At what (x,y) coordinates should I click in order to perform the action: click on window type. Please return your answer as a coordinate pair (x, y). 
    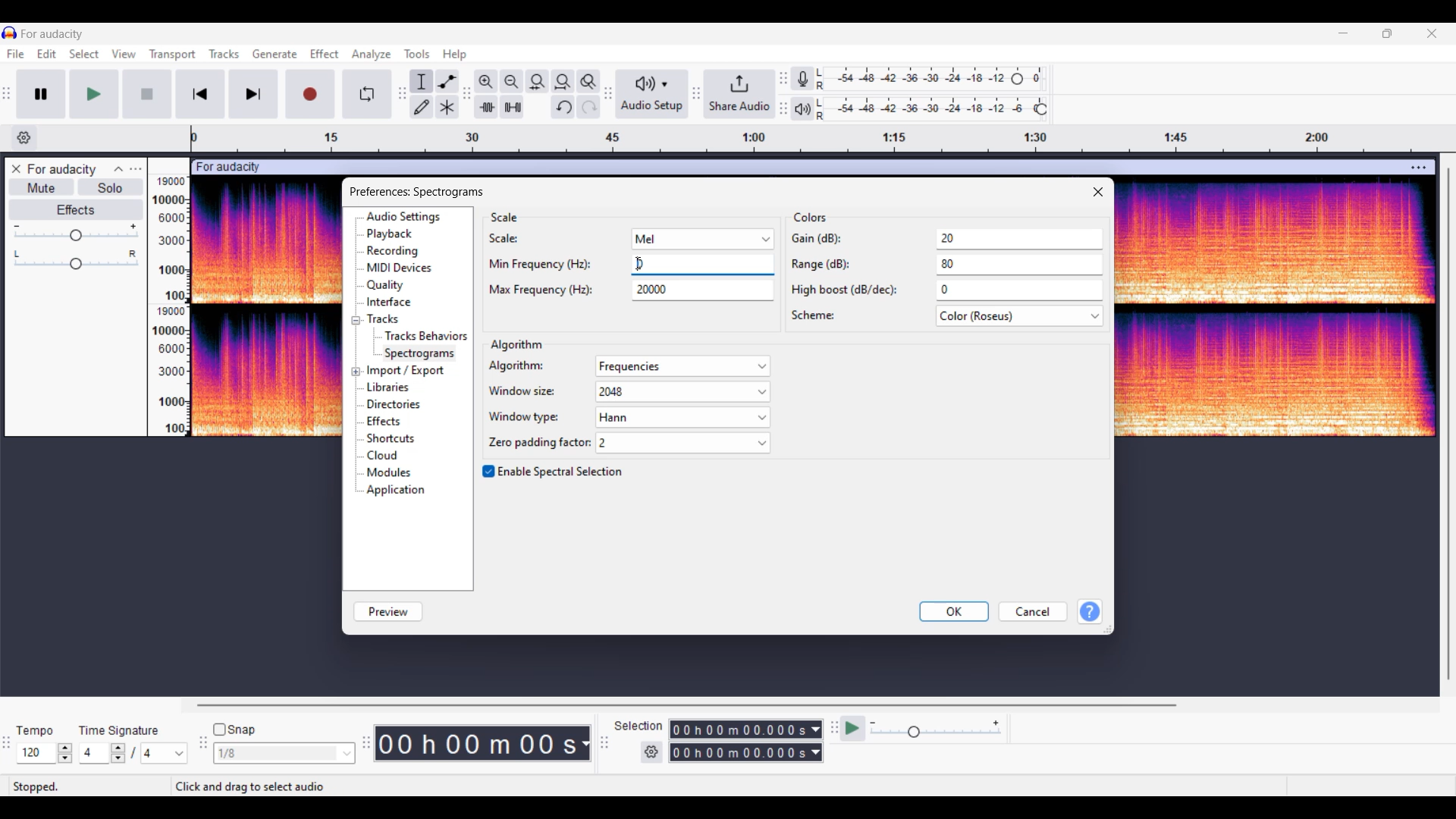
    Looking at the image, I should click on (626, 419).